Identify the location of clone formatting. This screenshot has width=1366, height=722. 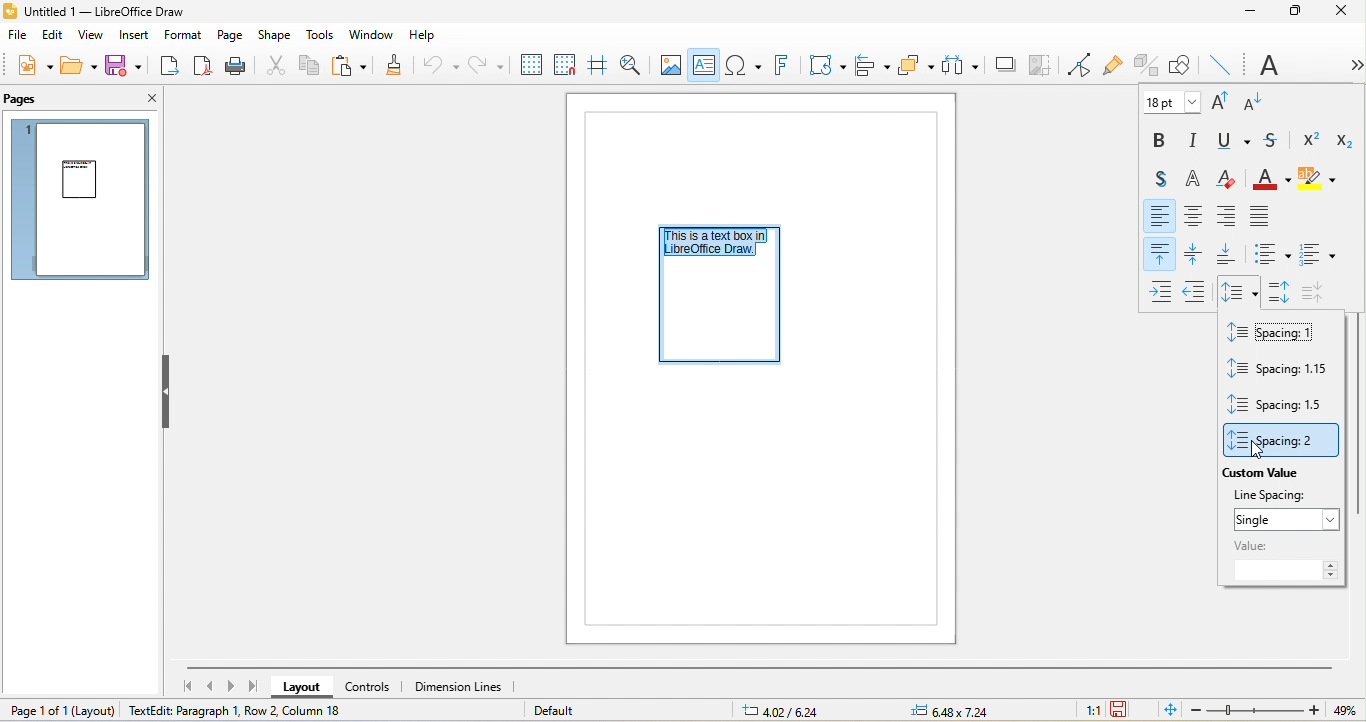
(400, 65).